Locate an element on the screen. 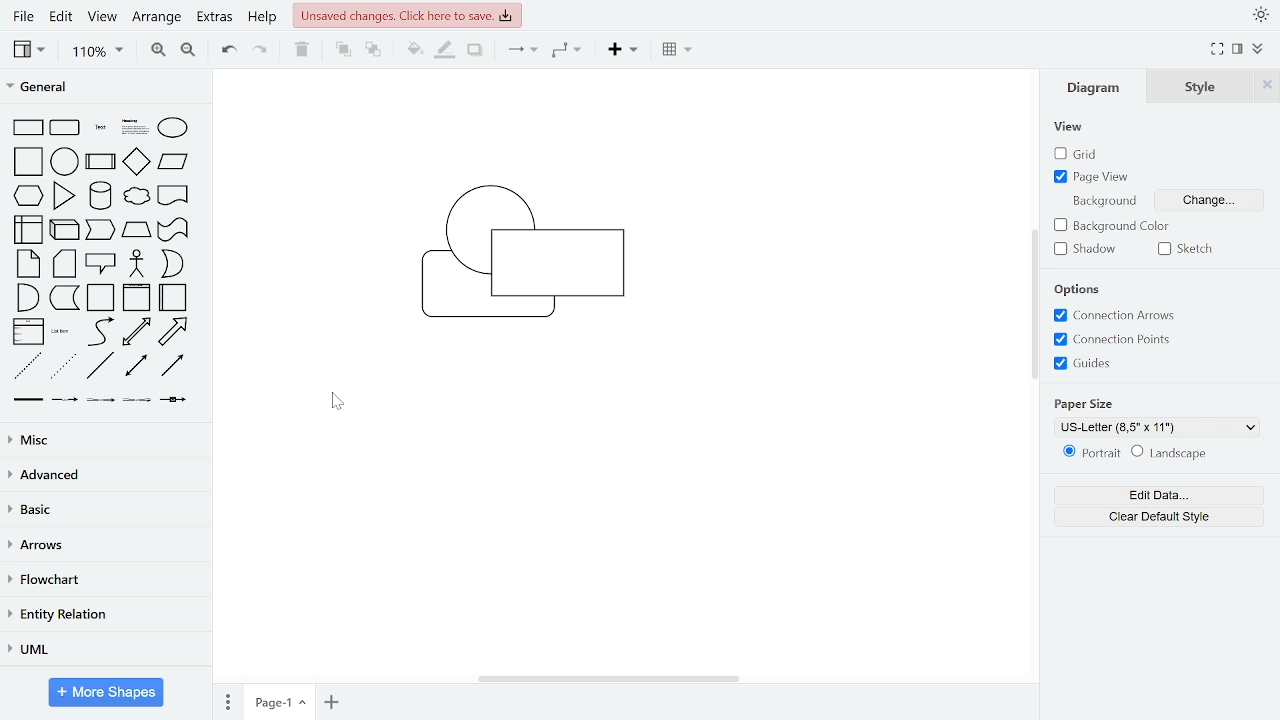 This screenshot has height=720, width=1280. add page is located at coordinates (330, 701).